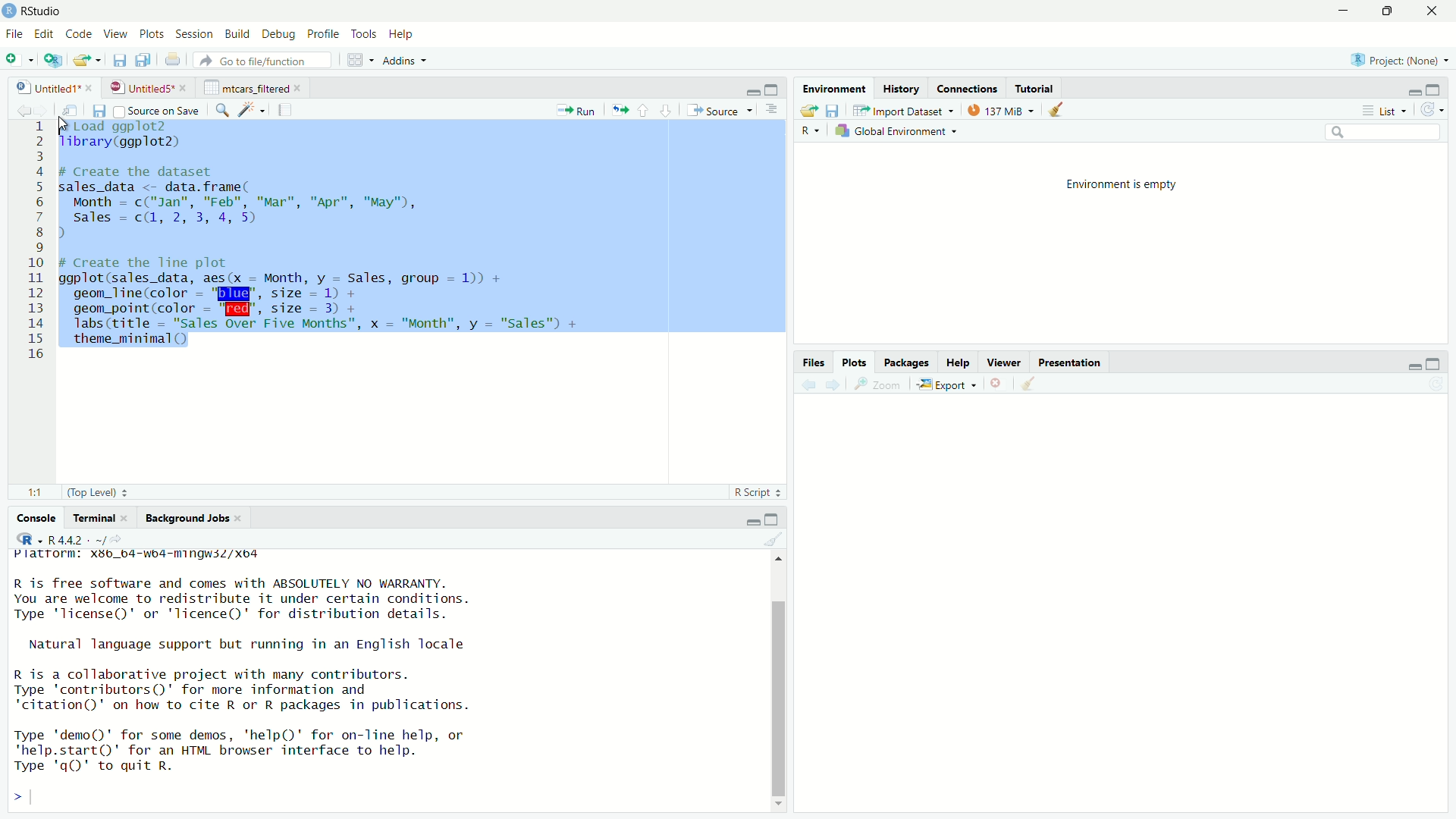 This screenshot has width=1456, height=819. What do you see at coordinates (245, 678) in the screenshot?
I see `R is free software and comes with ABSOLUTELY NO WARRANTY.

You are welcome to redistribute it under certain conditions.

Type 'license()' or 'licence()' for distribution details.
Natural language support but running in an English locale

R is a collaborative project with many contributors.

Type 'contributors()' for more information and

‘citation()' on how to cite R or R packages in publications.

Type 'demo()' for some demos, 'help()' for on-line help, or

'help.start()' for an HTML browser interface to help.

Type 'gQ' to quit R.` at bounding box center [245, 678].